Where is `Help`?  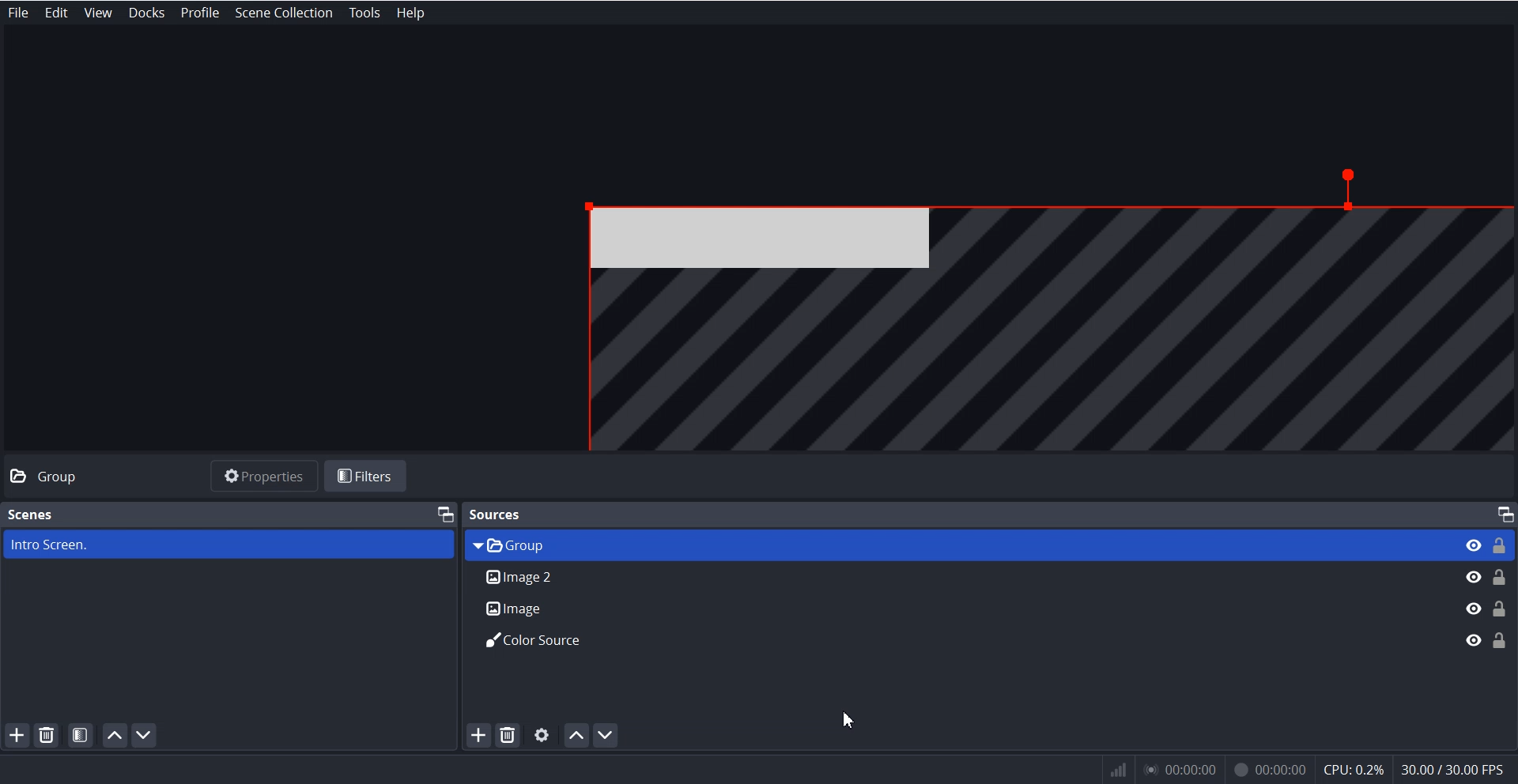
Help is located at coordinates (408, 13).